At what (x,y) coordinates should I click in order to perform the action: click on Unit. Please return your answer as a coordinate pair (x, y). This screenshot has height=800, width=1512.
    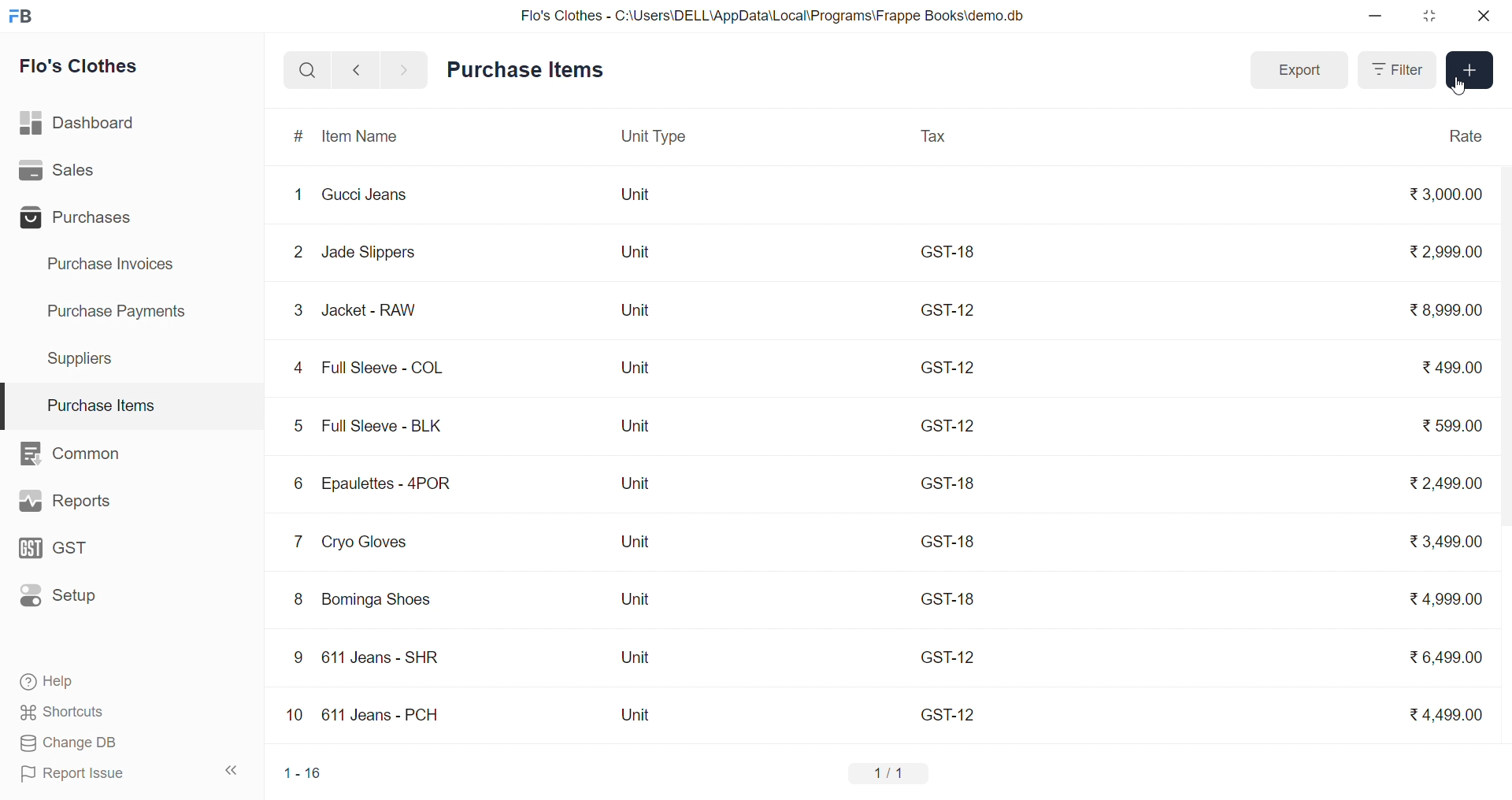
    Looking at the image, I should click on (643, 657).